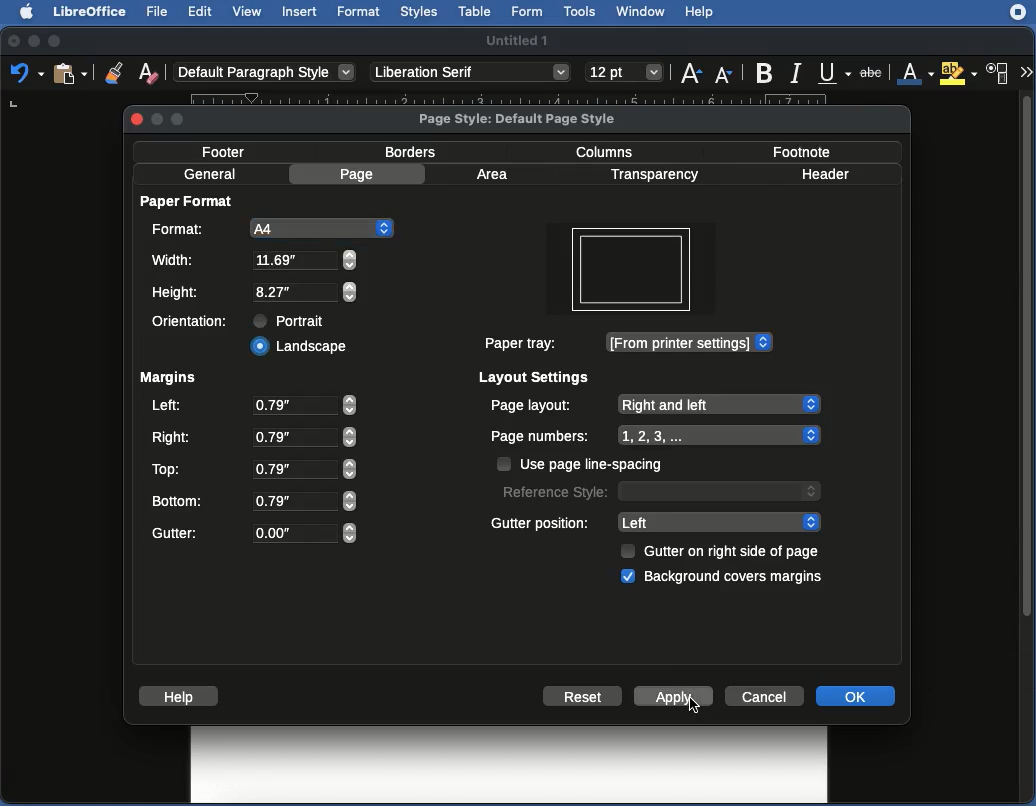 The width and height of the screenshot is (1036, 806). I want to click on Form, so click(530, 11).